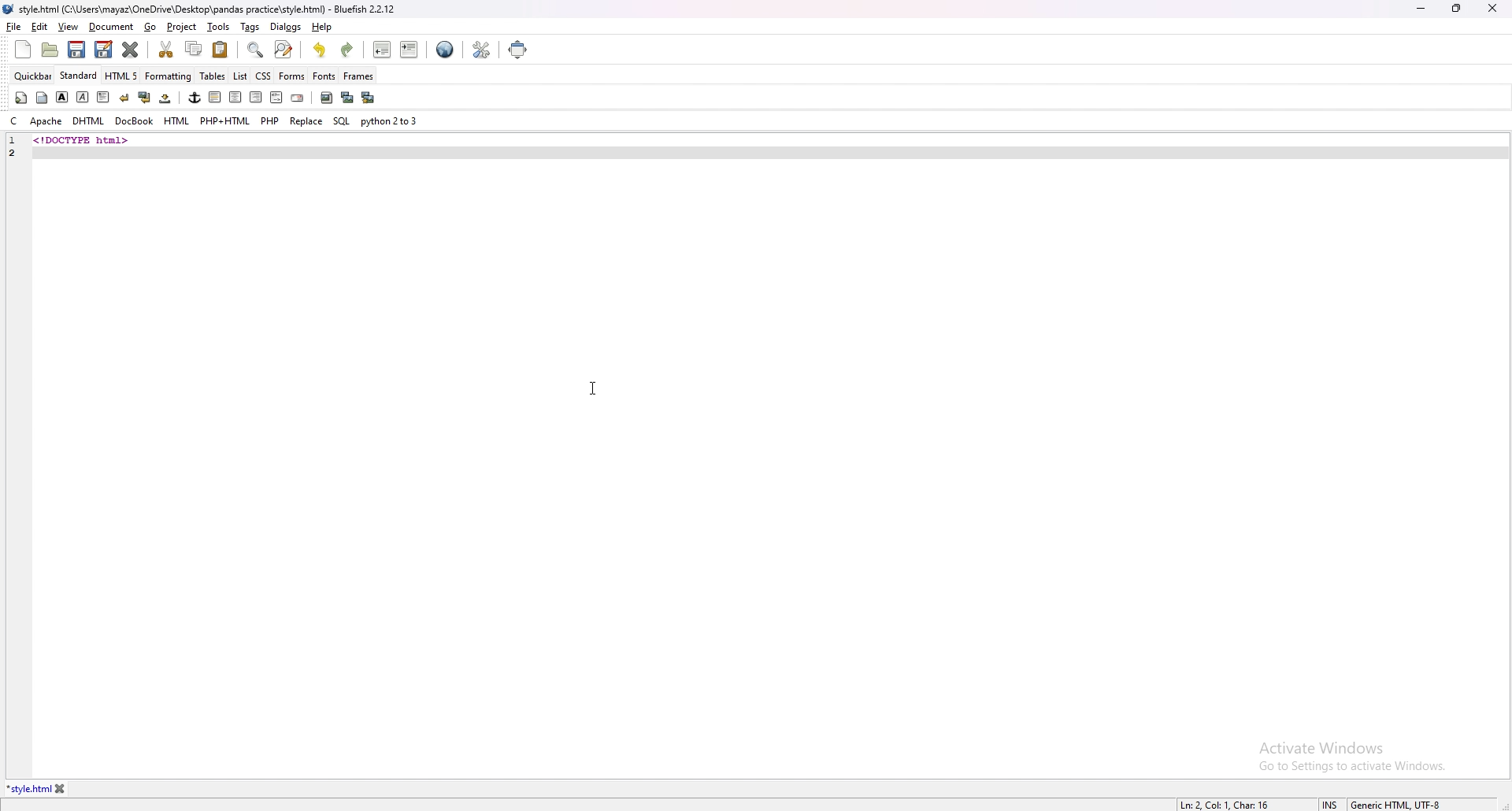  Describe the element at coordinates (592, 387) in the screenshot. I see `cursor` at that location.